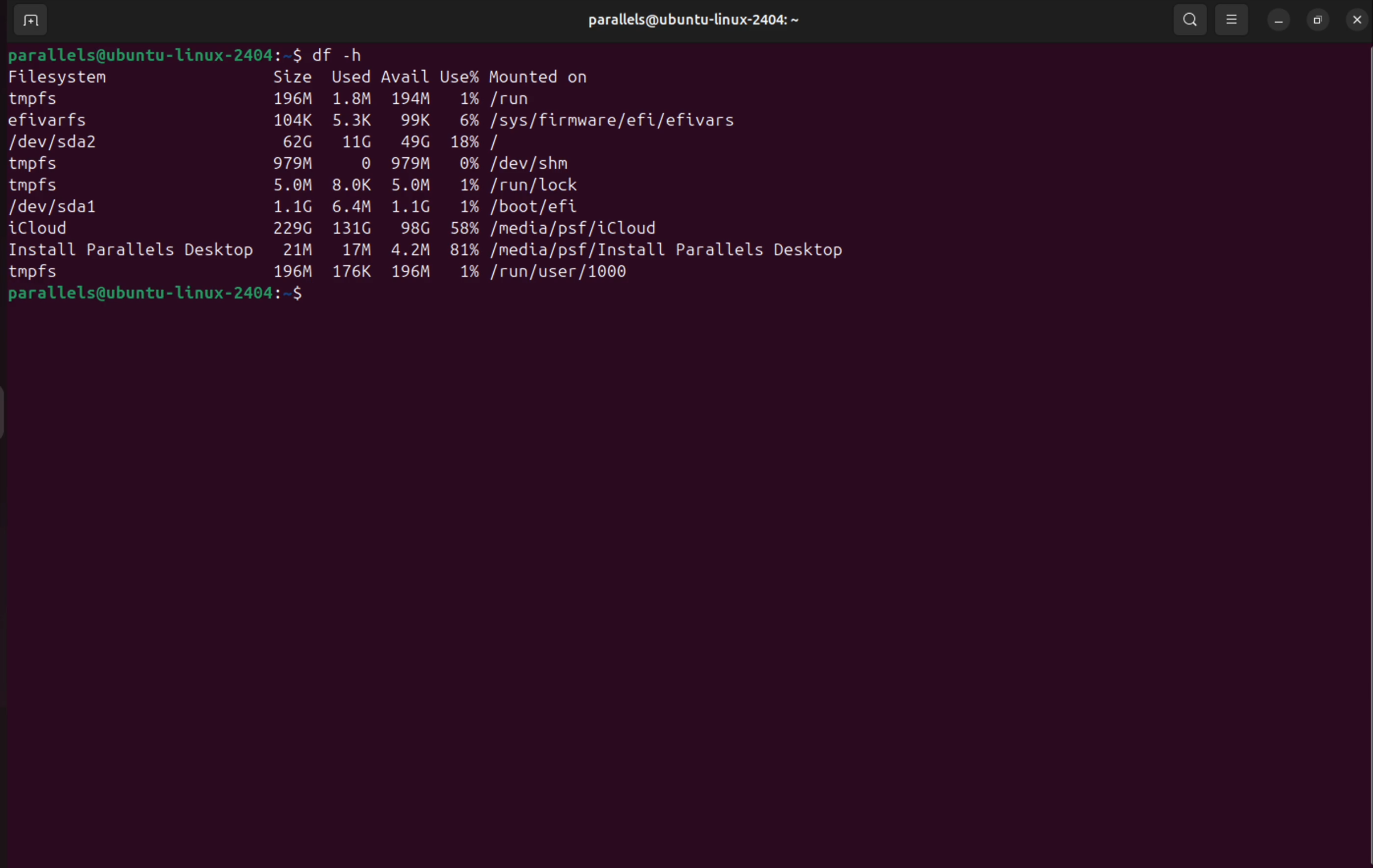 The width and height of the screenshot is (1373, 868). I want to click on 196 M, so click(299, 98).